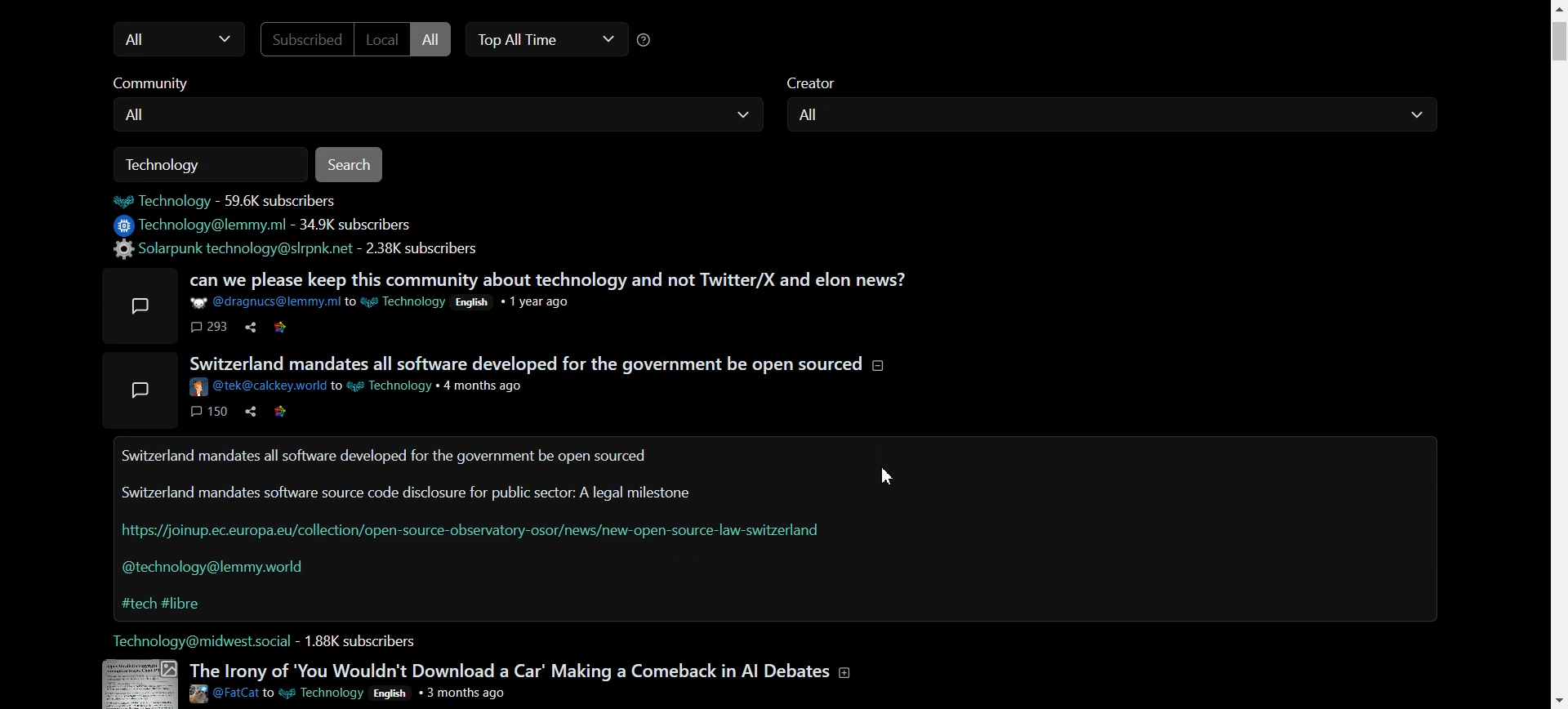 The height and width of the screenshot is (709, 1568). Describe the element at coordinates (266, 640) in the screenshot. I see `Technology@midwest.social - 1.88K subscribers` at that location.